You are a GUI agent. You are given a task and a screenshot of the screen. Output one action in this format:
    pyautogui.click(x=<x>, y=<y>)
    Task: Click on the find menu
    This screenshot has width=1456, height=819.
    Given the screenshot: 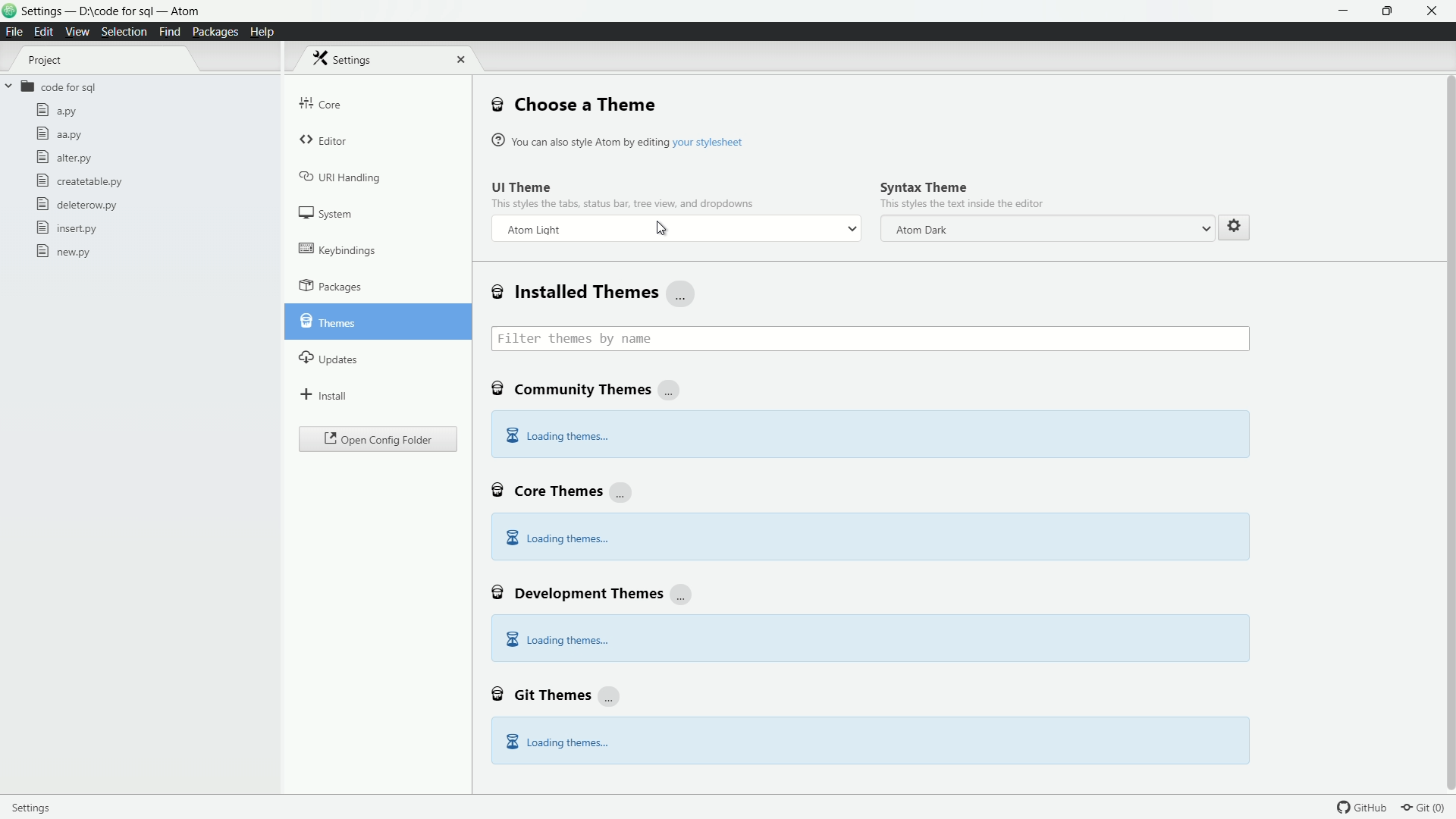 What is the action you would take?
    pyautogui.click(x=168, y=31)
    